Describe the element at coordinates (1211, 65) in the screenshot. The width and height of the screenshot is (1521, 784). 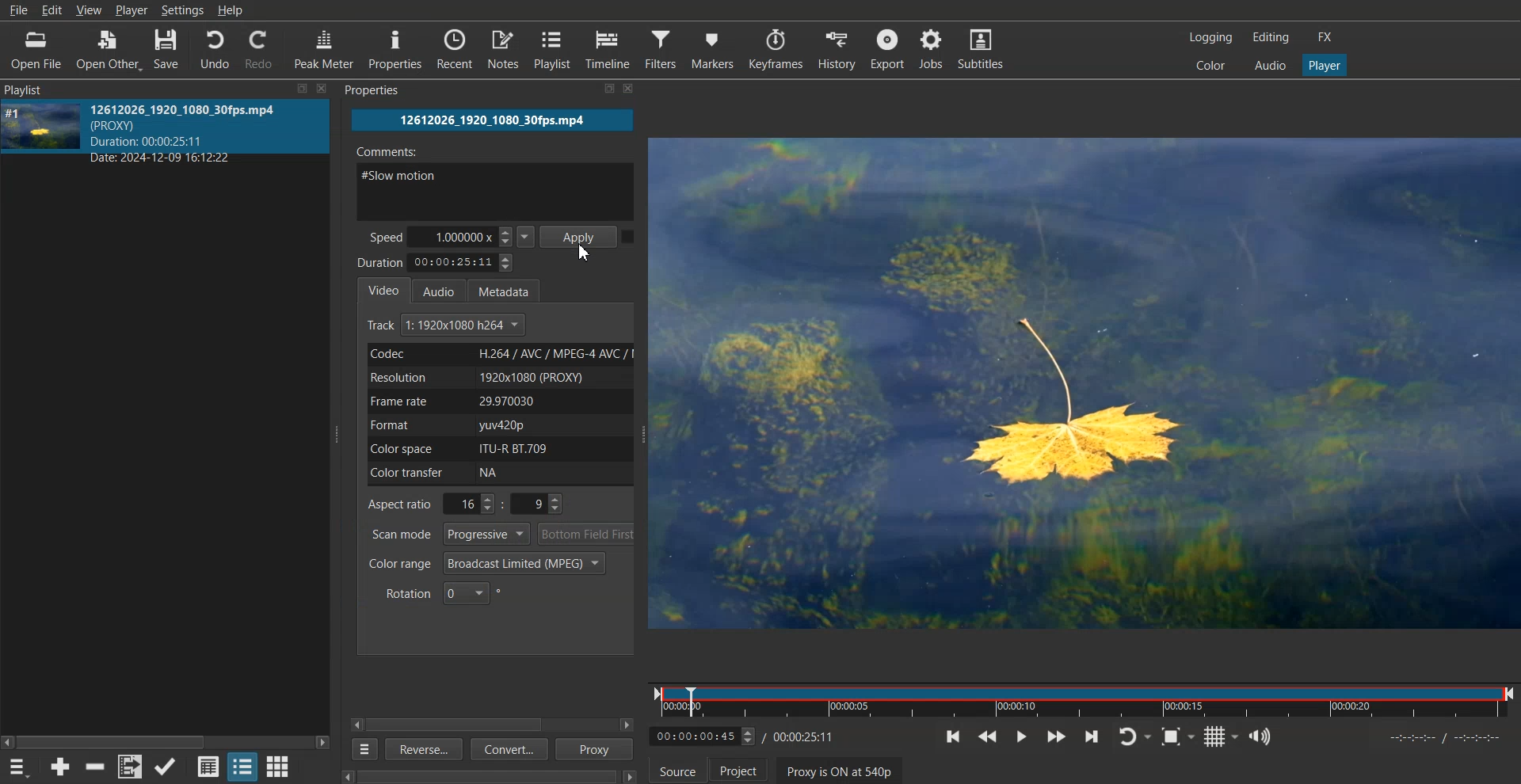
I see `Color` at that location.